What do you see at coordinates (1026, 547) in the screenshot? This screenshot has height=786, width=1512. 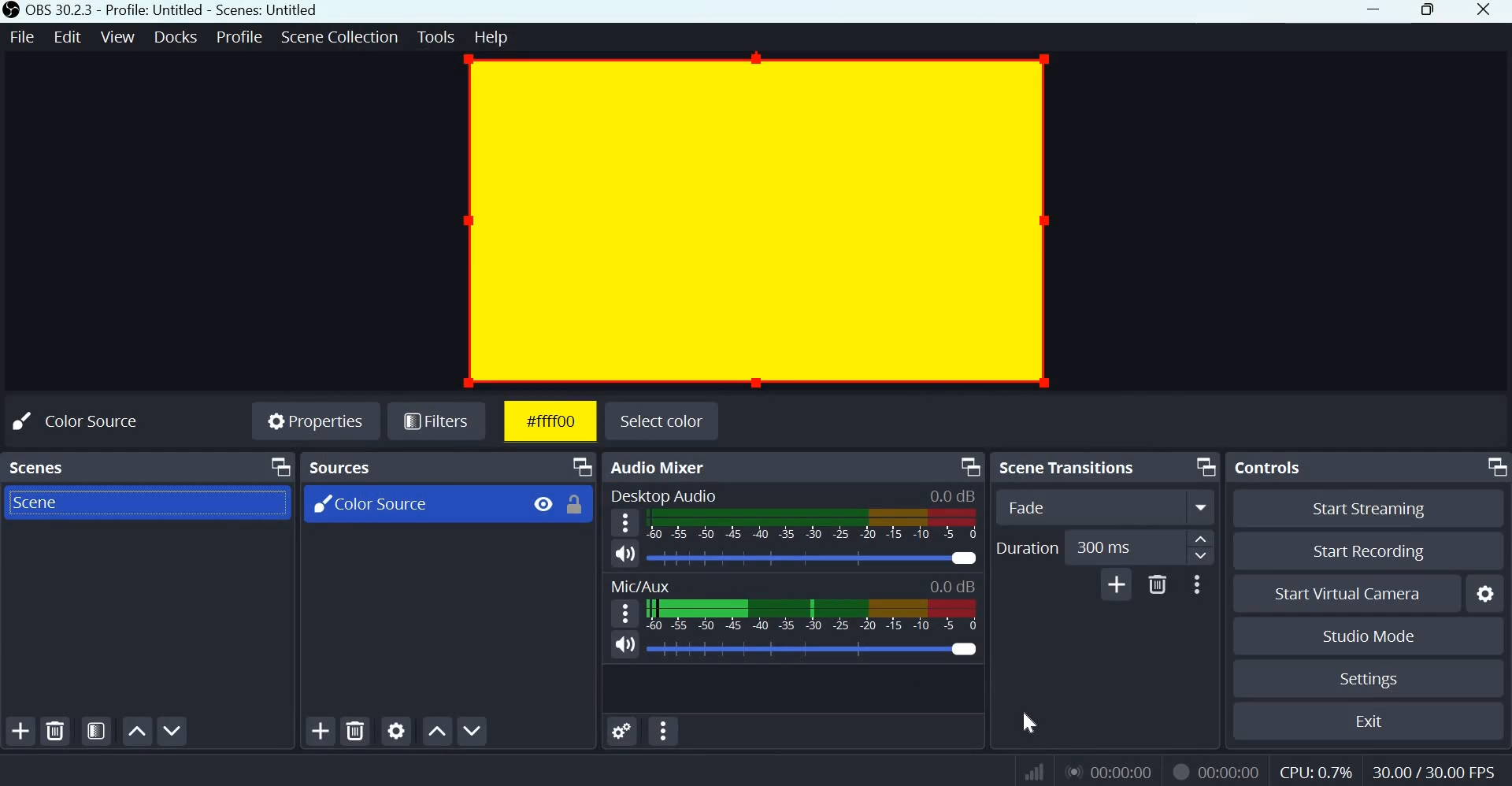 I see `Duration` at bounding box center [1026, 547].